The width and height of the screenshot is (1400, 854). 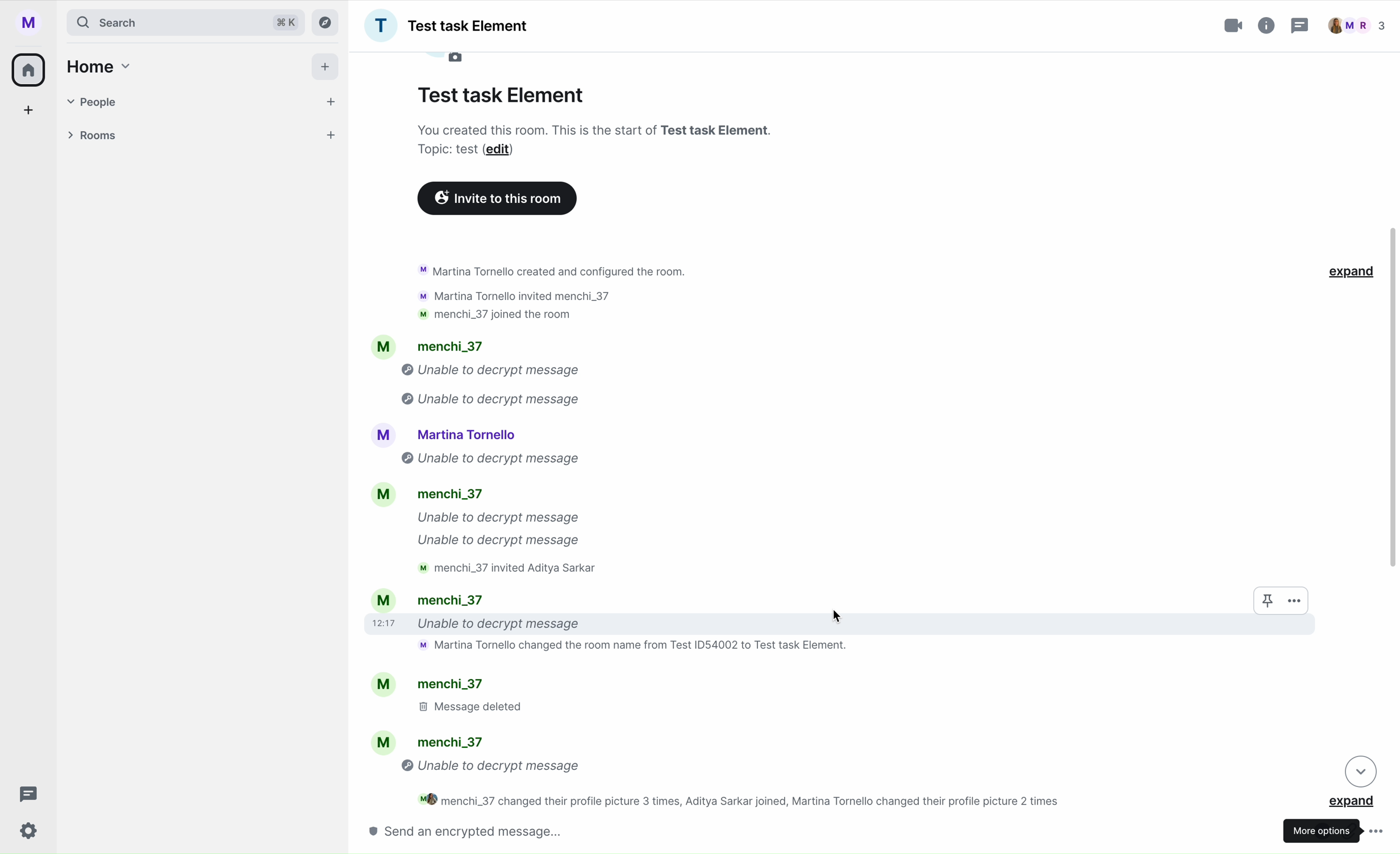 What do you see at coordinates (328, 22) in the screenshot?
I see `explore` at bounding box center [328, 22].